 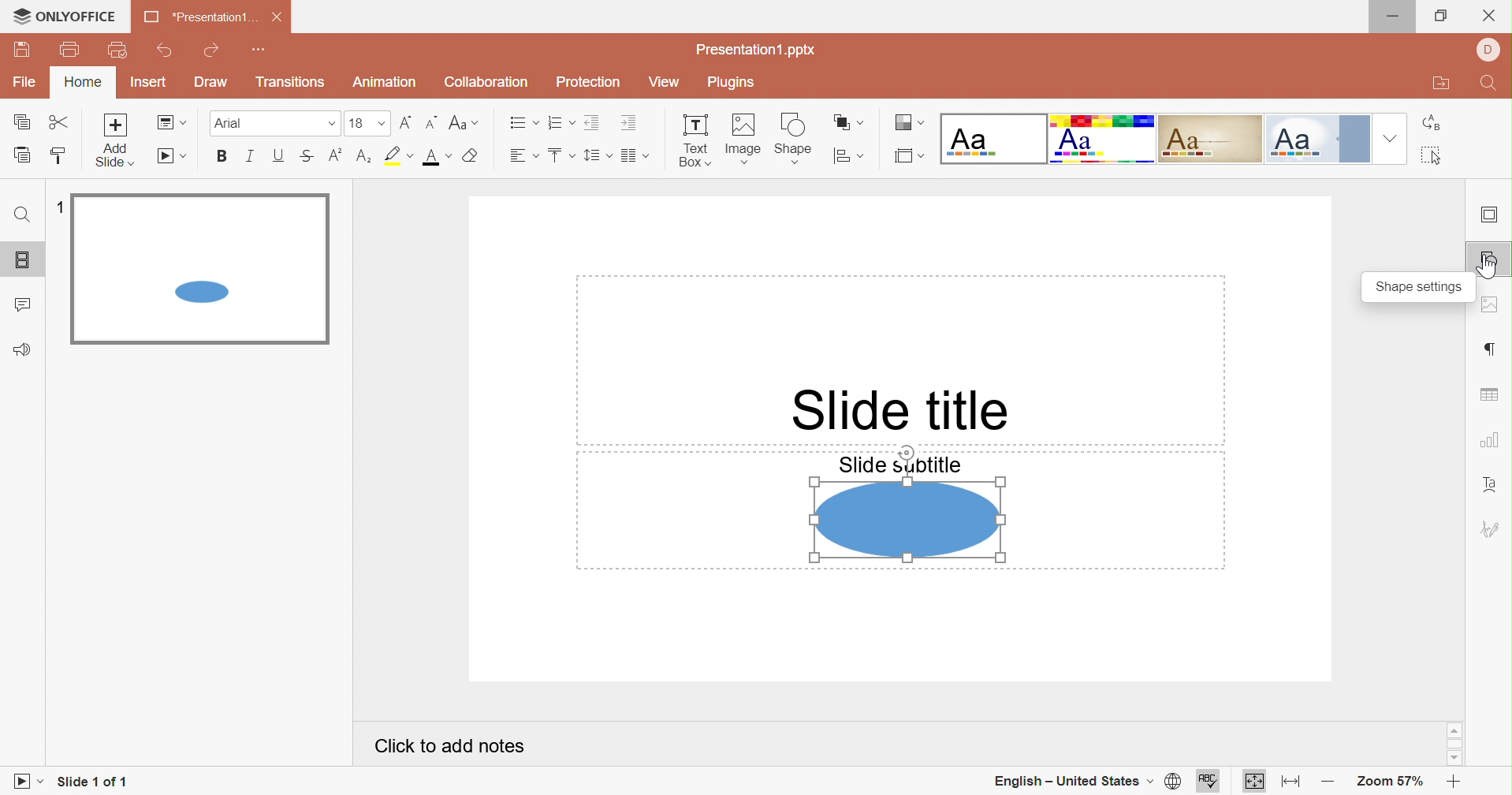 What do you see at coordinates (560, 123) in the screenshot?
I see `Numbering` at bounding box center [560, 123].